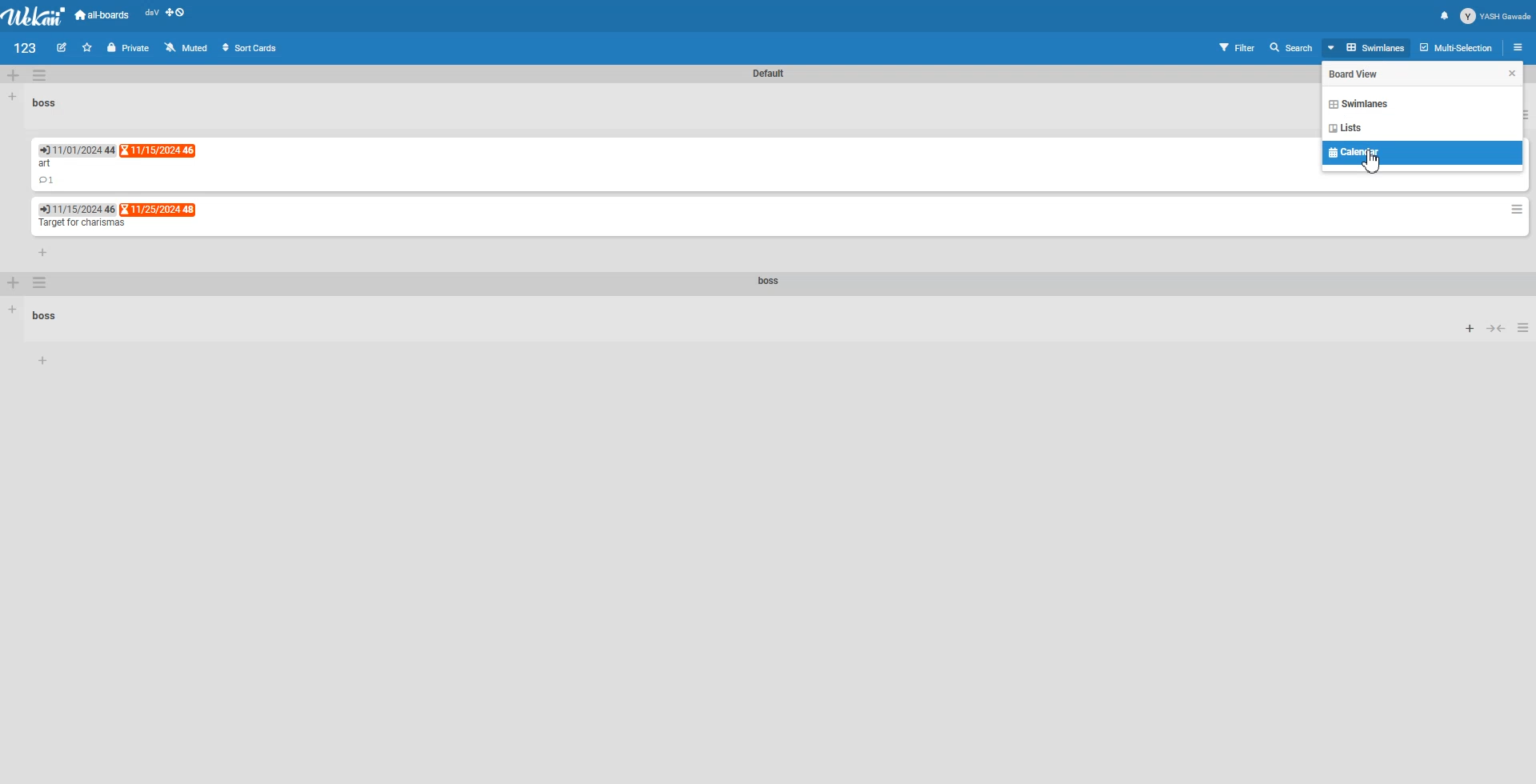 The width and height of the screenshot is (1536, 784). What do you see at coordinates (1525, 326) in the screenshot?
I see `List Action` at bounding box center [1525, 326].